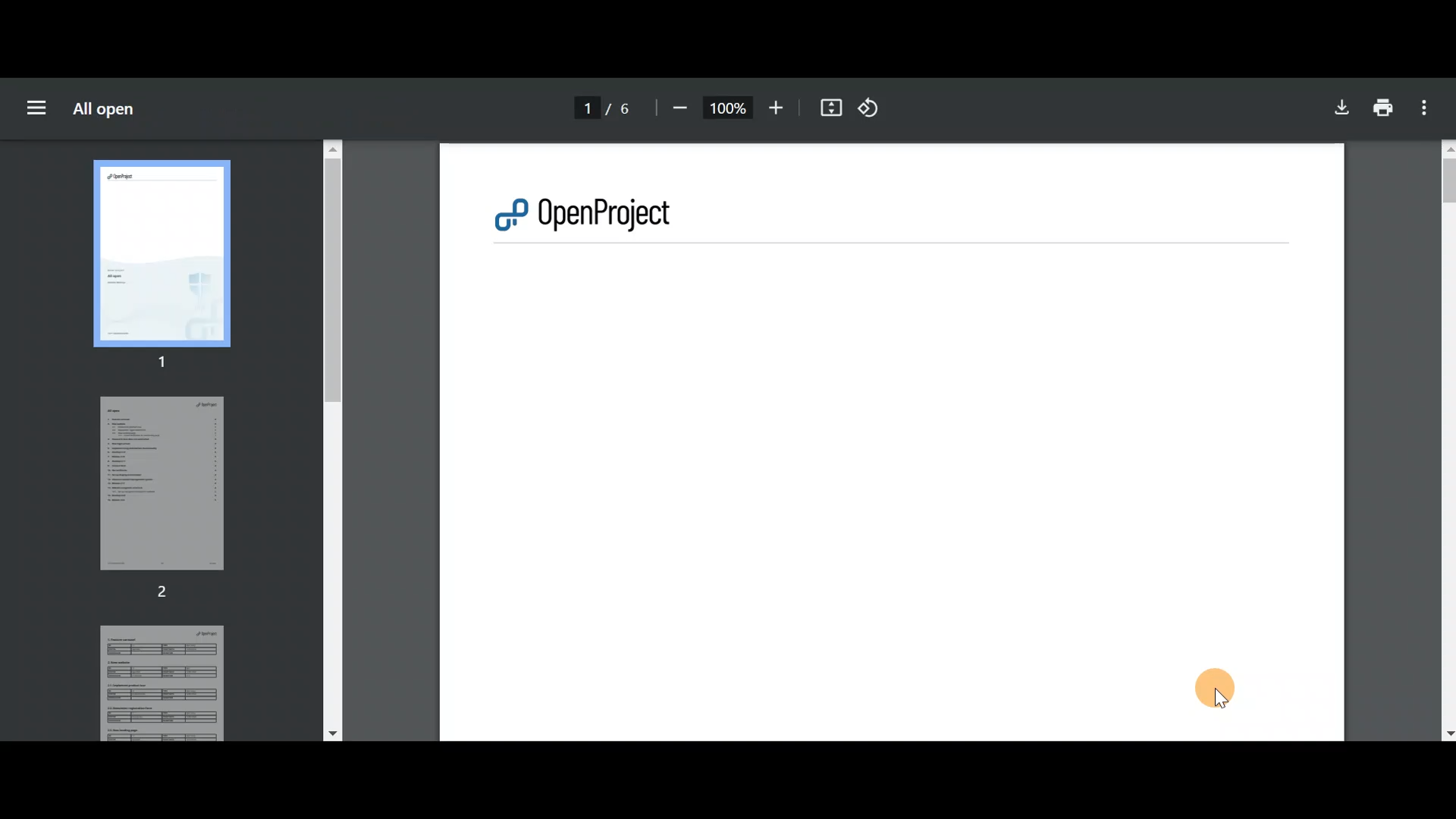 The image size is (1456, 819). What do you see at coordinates (40, 111) in the screenshot?
I see `Menu` at bounding box center [40, 111].